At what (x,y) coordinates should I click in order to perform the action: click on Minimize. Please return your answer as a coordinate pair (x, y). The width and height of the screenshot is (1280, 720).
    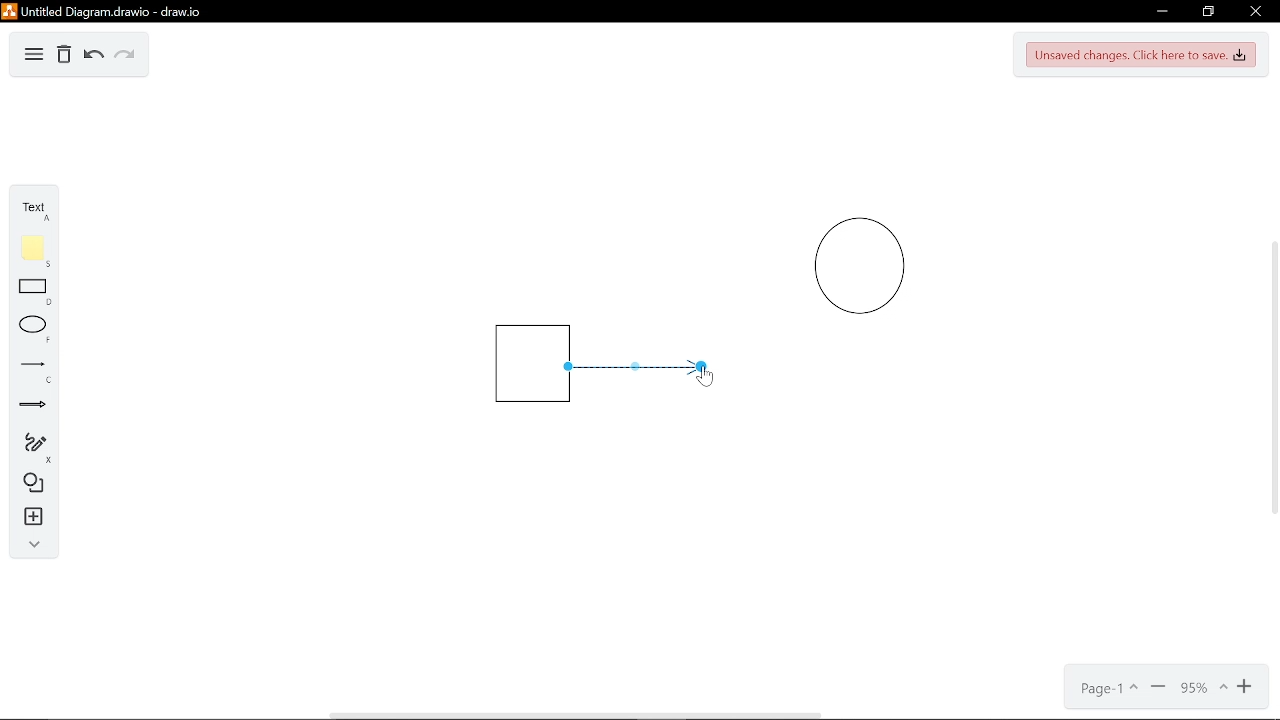
    Looking at the image, I should click on (1162, 12).